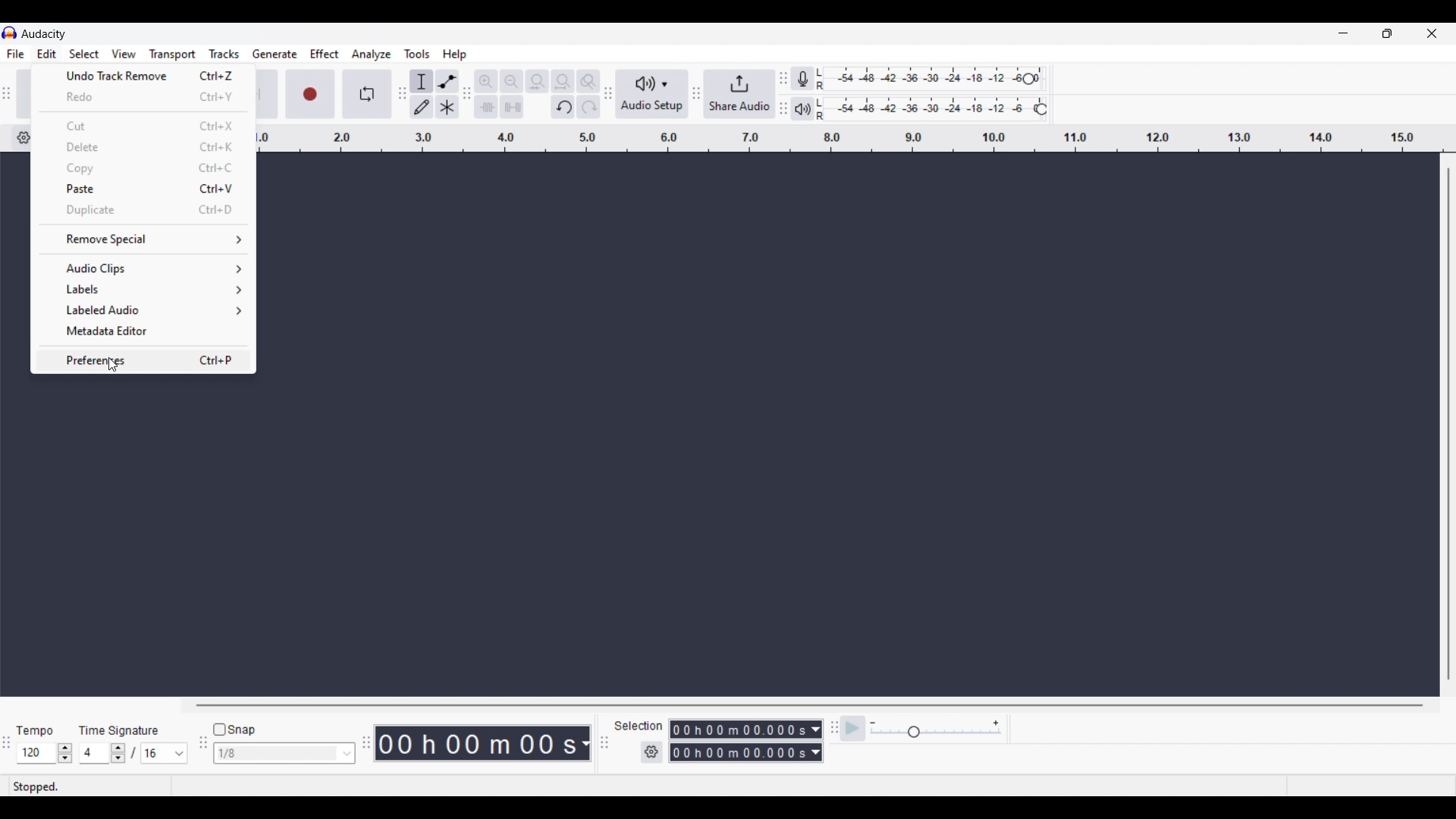 The image size is (1456, 819). I want to click on Delete, so click(144, 146).